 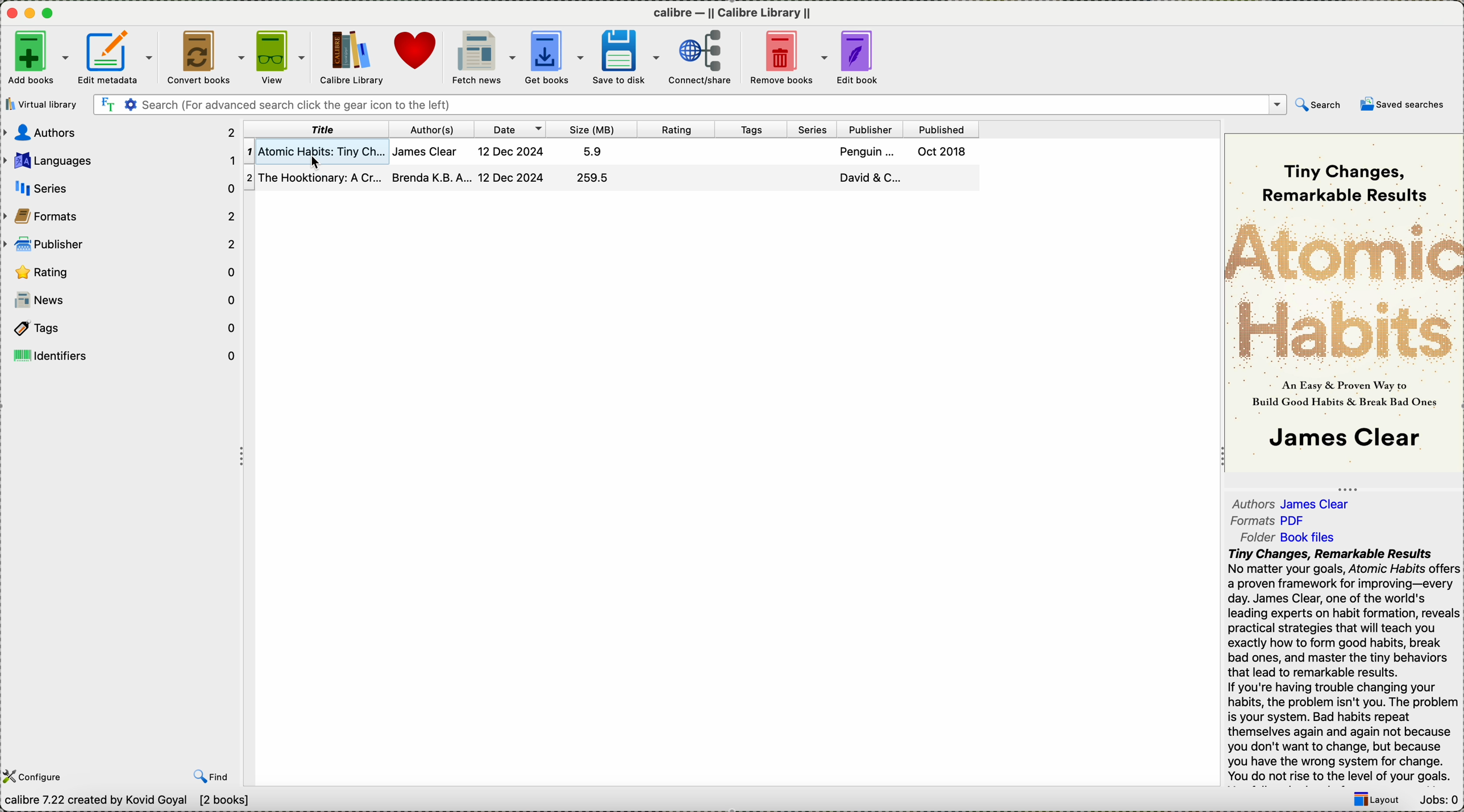 I want to click on folder book files, so click(x=1291, y=536).